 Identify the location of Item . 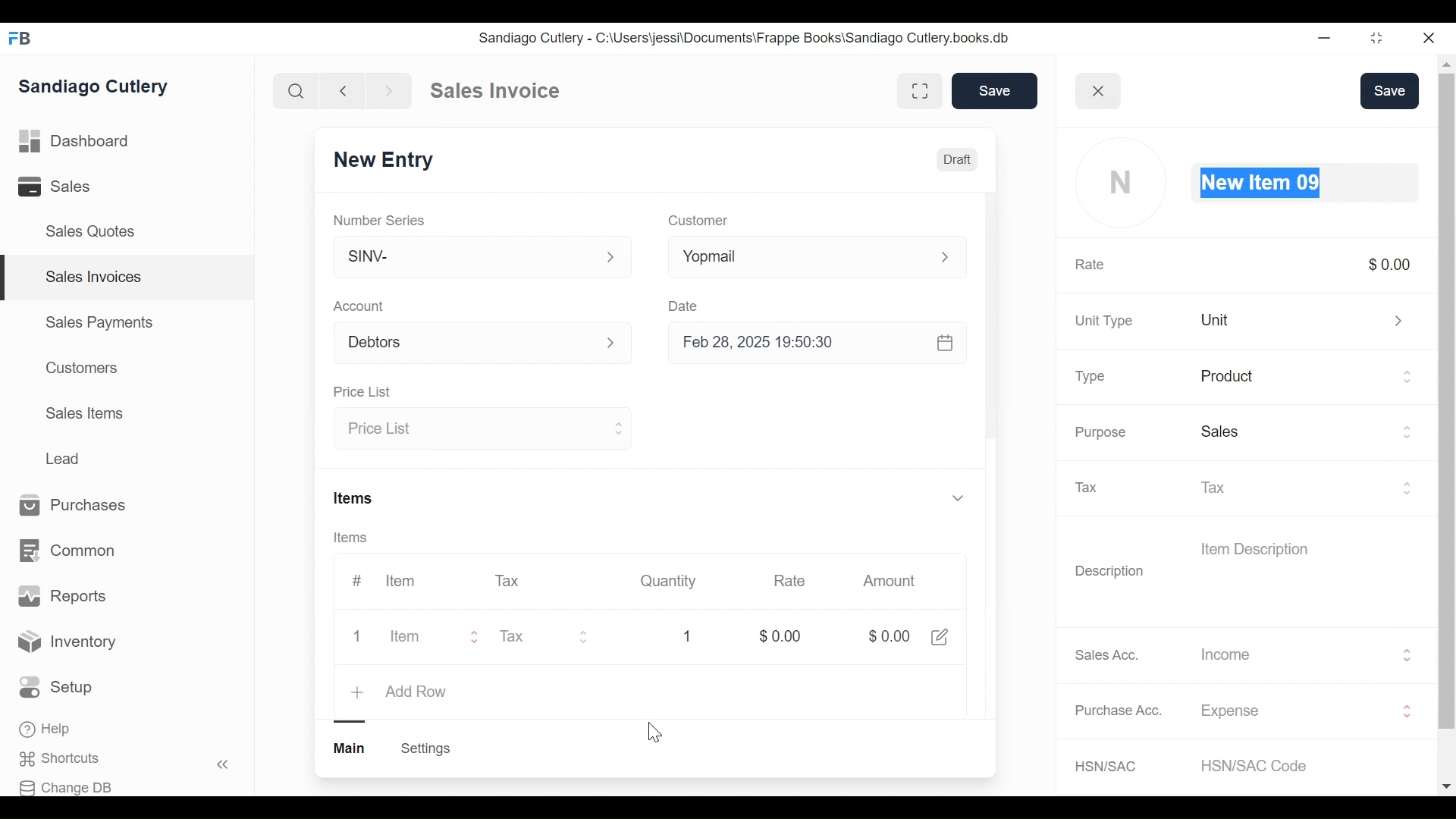
(413, 635).